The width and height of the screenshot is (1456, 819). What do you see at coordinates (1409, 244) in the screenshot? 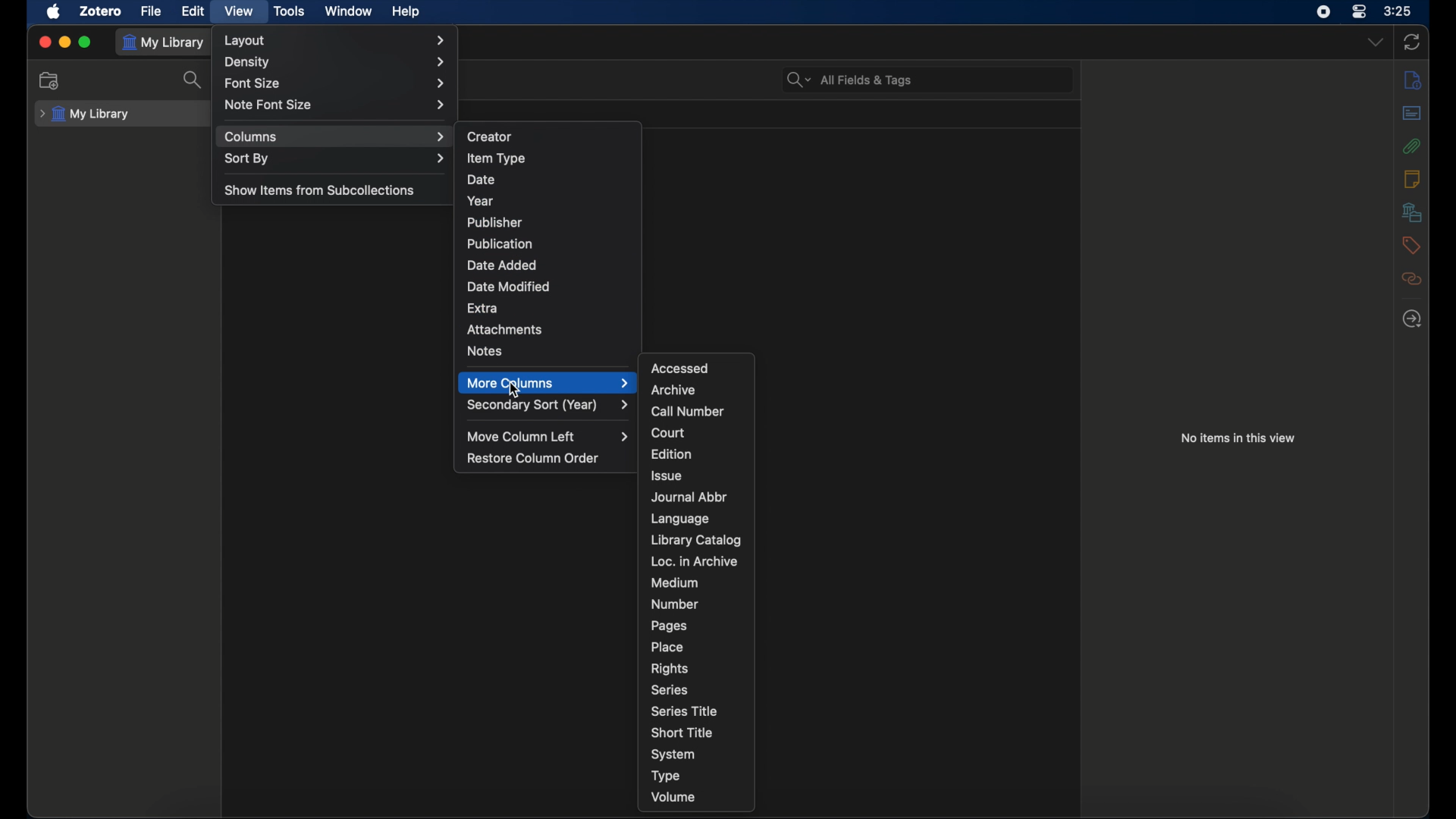
I see `tags` at bounding box center [1409, 244].